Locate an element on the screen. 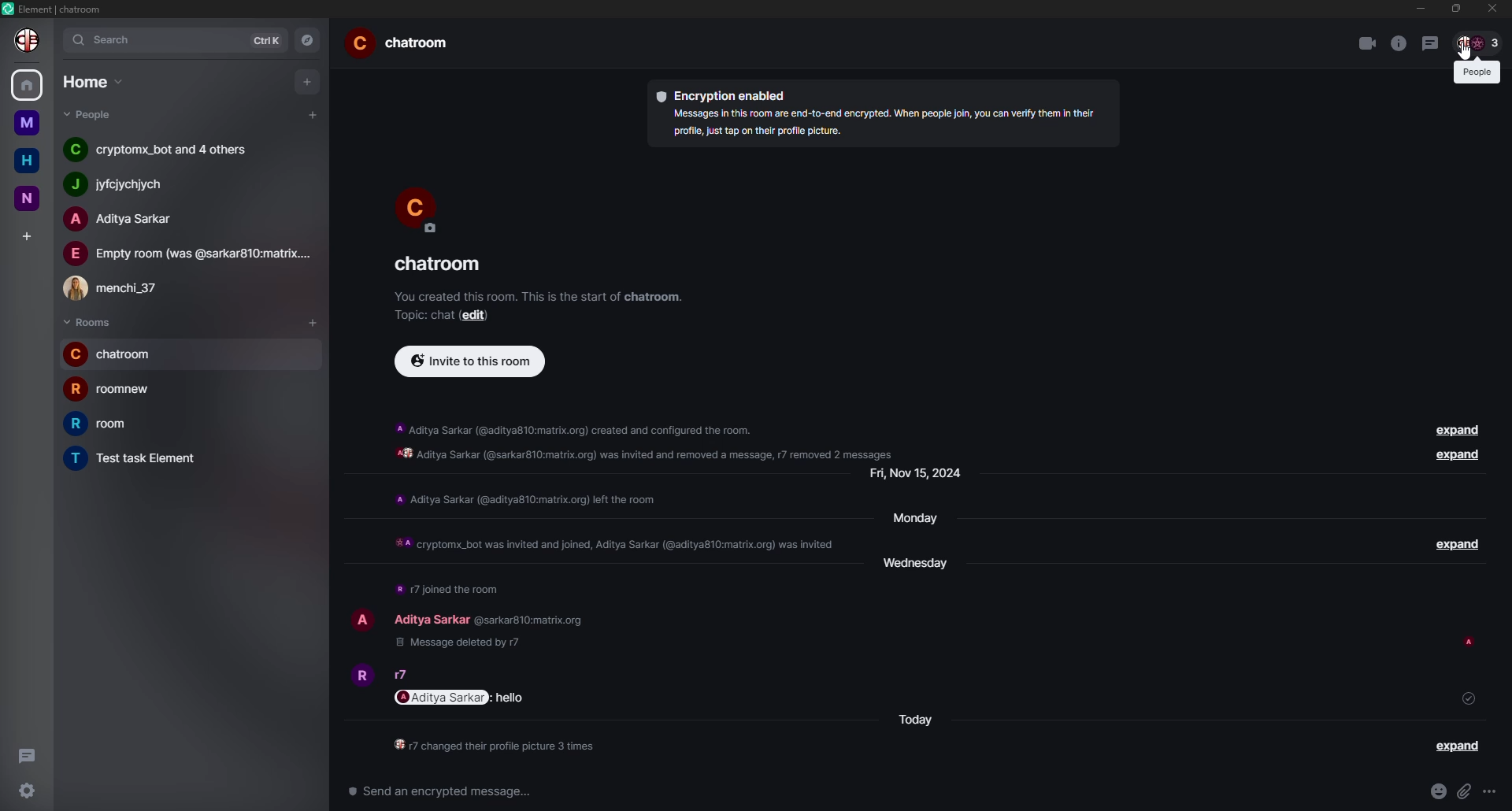  day is located at coordinates (909, 517).